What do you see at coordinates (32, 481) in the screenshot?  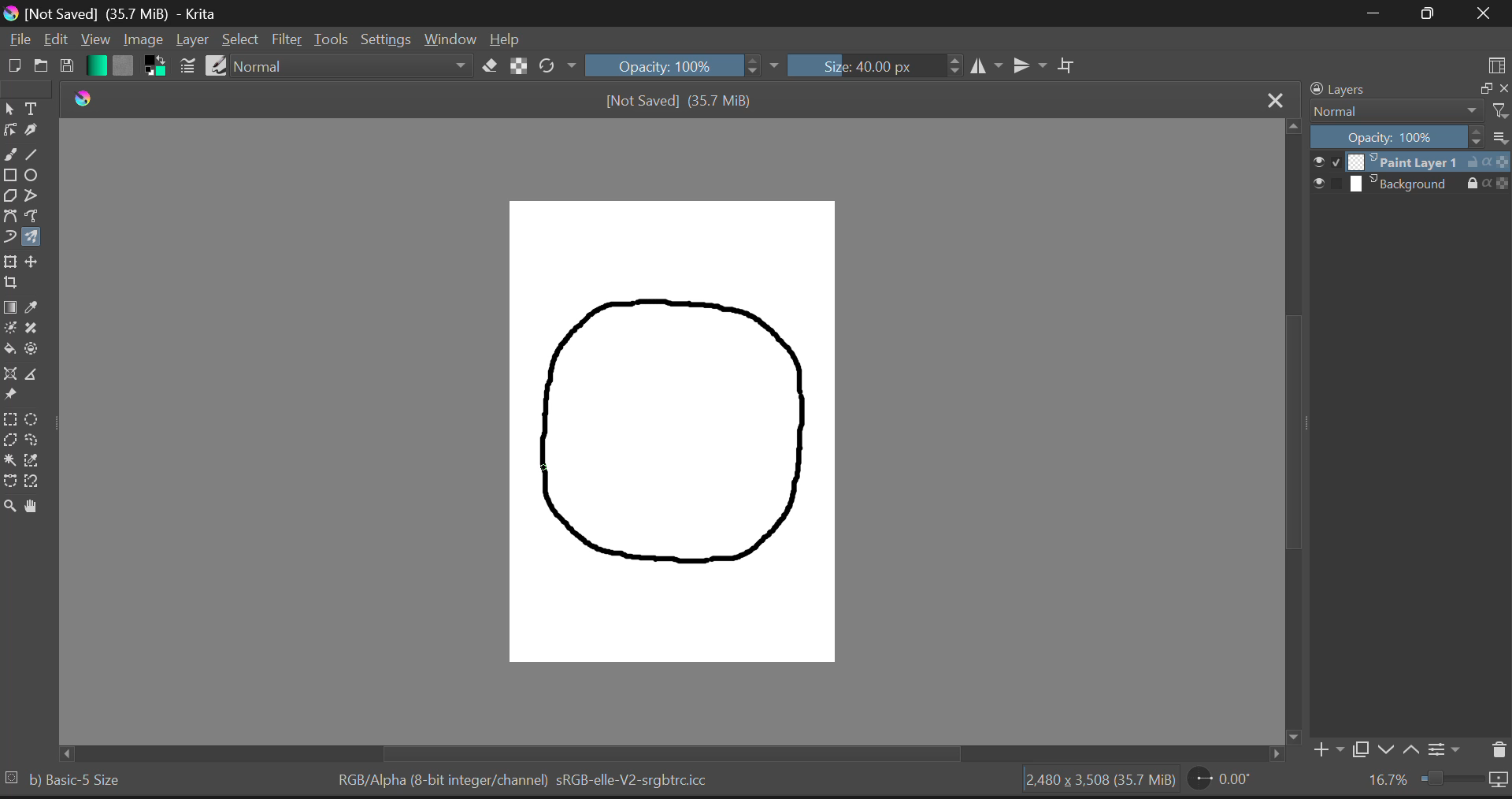 I see `Magnetic Curve Selection` at bounding box center [32, 481].